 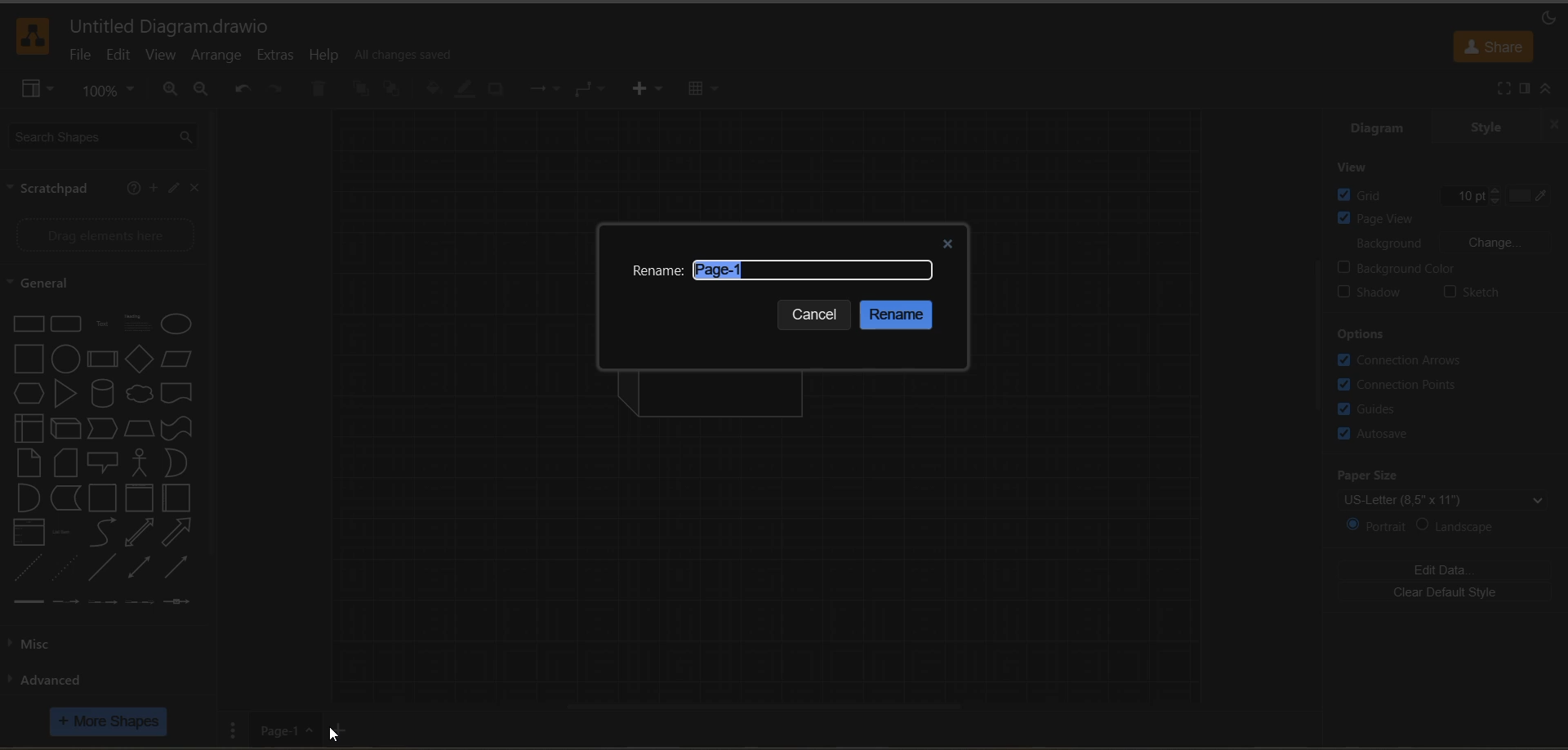 What do you see at coordinates (1439, 219) in the screenshot?
I see `page view` at bounding box center [1439, 219].